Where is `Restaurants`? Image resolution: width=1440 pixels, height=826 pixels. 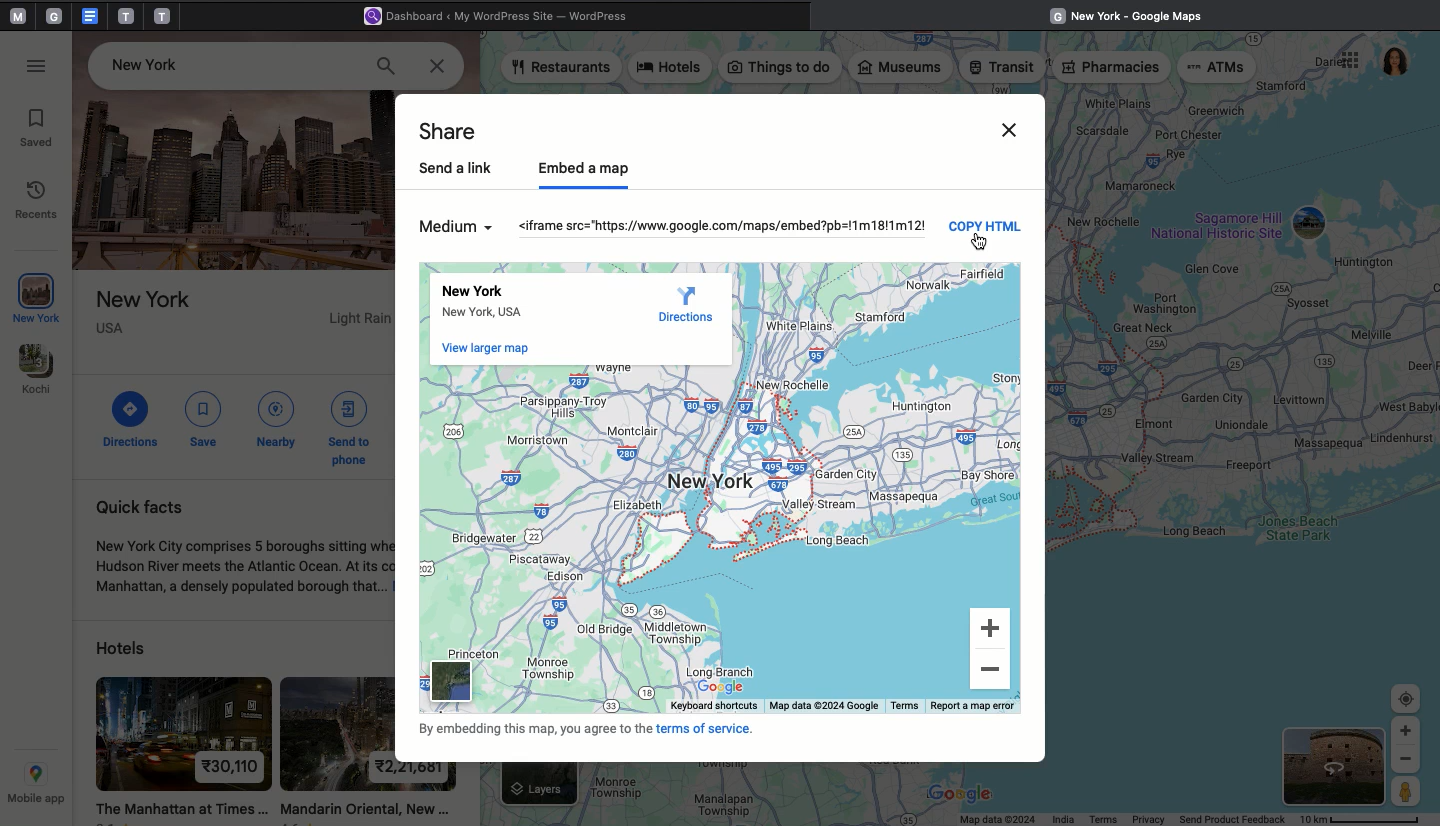 Restaurants is located at coordinates (562, 69).